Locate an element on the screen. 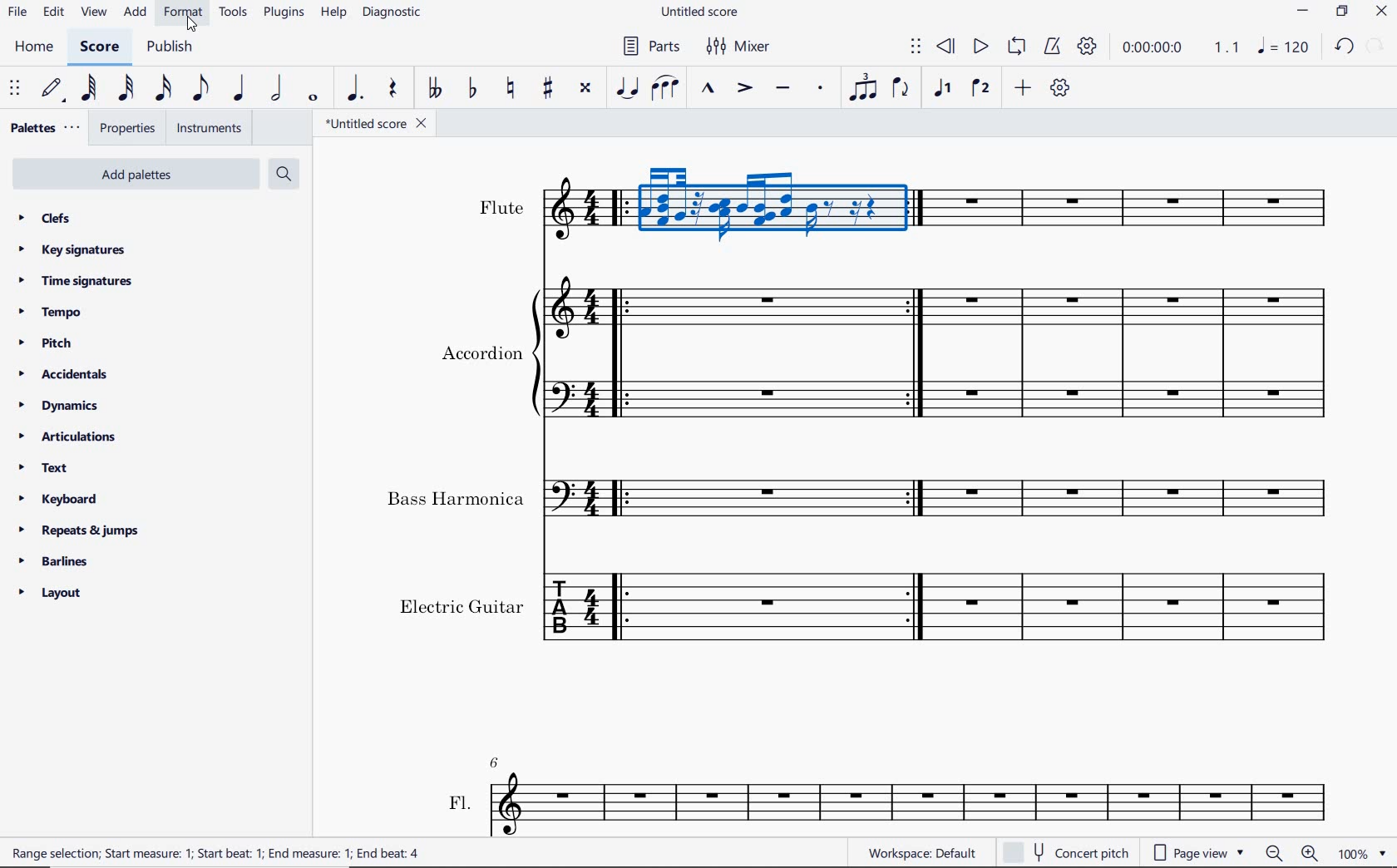 This screenshot has width=1397, height=868. Playback speed is located at coordinates (1228, 47).